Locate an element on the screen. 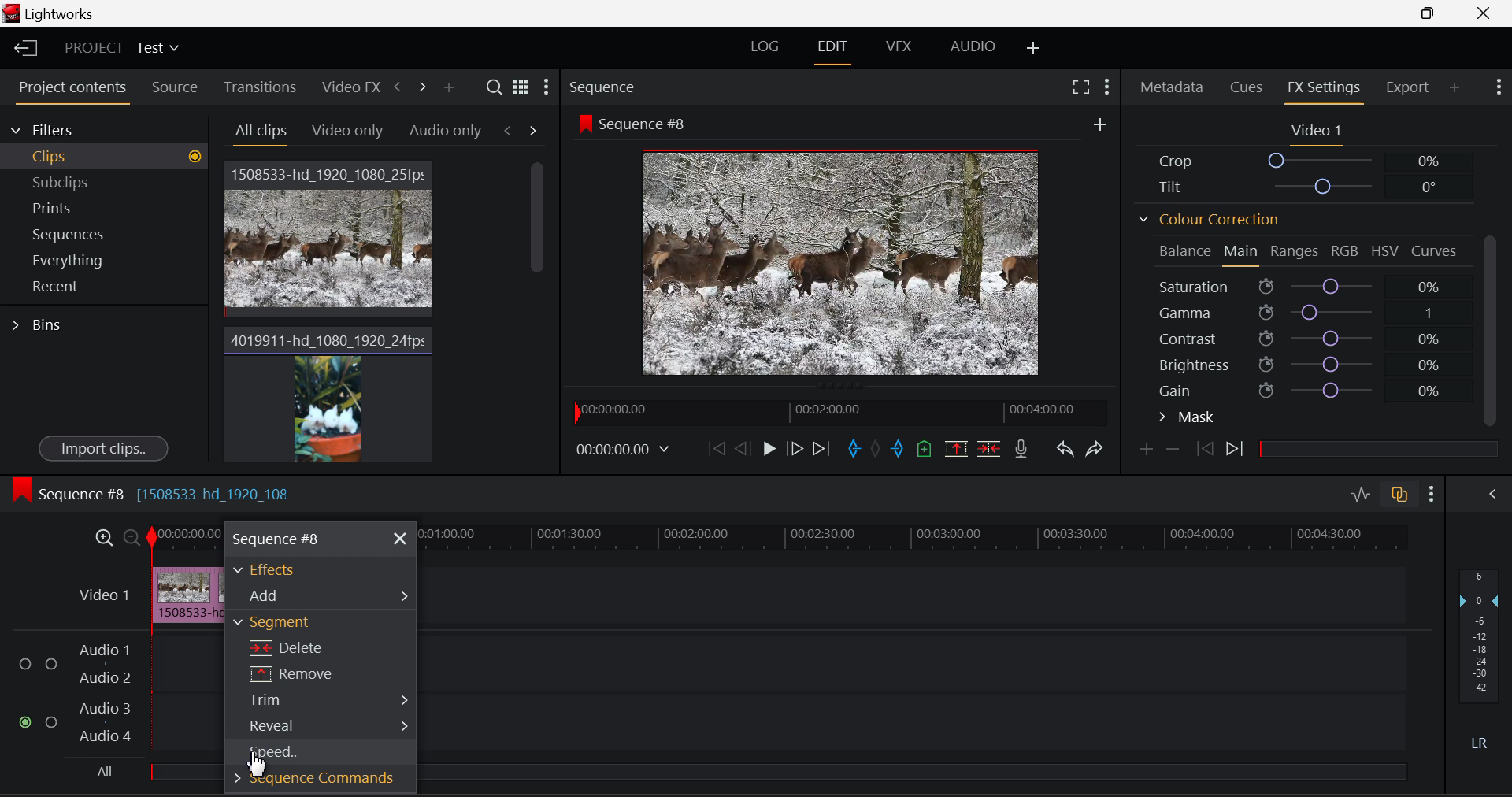 This screenshot has width=1512, height=797. Minimize is located at coordinates (1430, 13).